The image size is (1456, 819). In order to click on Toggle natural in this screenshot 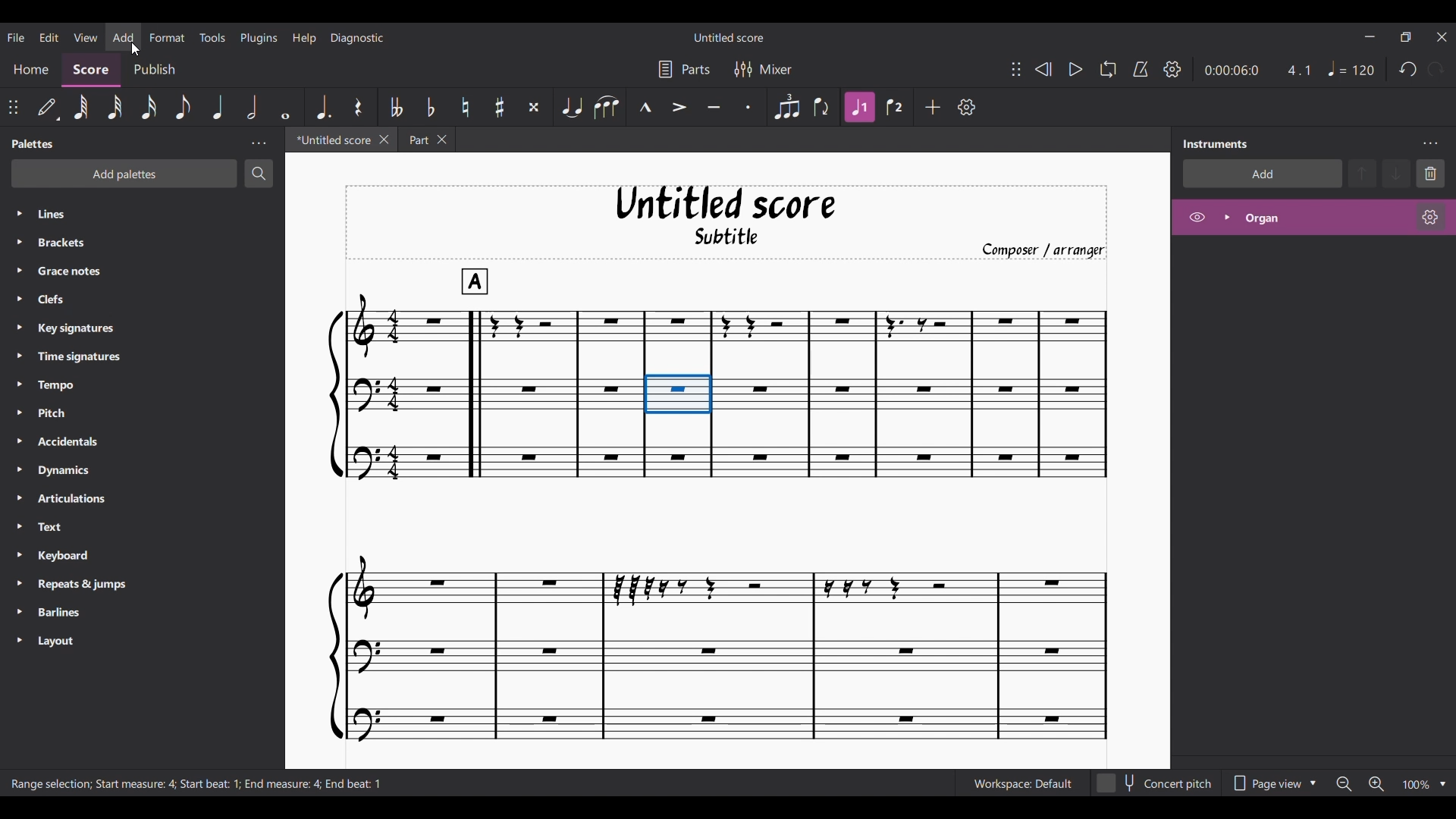, I will do `click(466, 107)`.